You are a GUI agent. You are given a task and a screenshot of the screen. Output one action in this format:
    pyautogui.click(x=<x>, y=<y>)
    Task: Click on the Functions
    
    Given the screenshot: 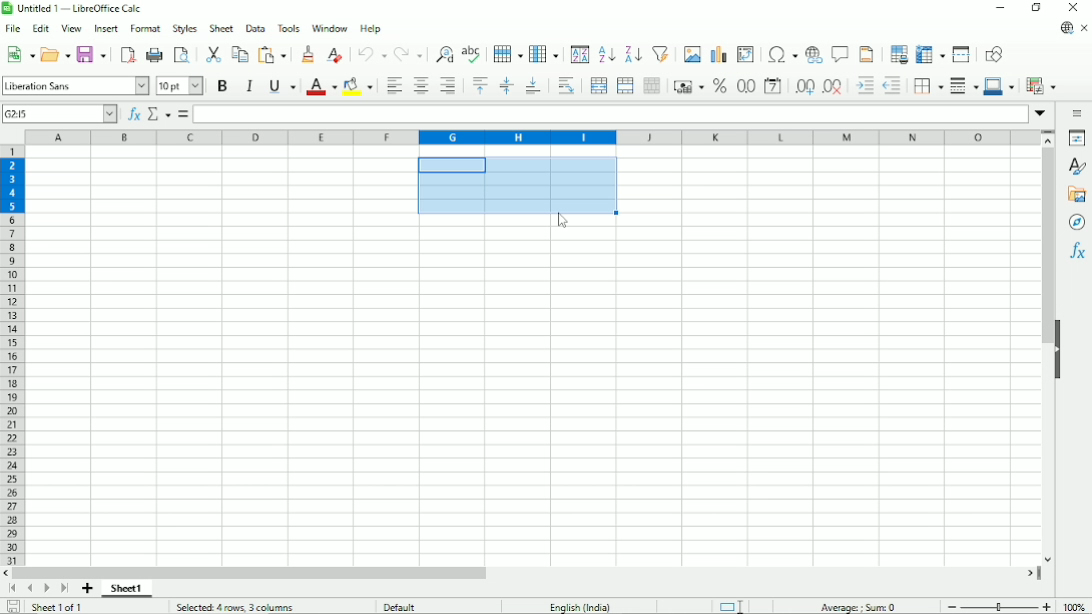 What is the action you would take?
    pyautogui.click(x=1076, y=254)
    